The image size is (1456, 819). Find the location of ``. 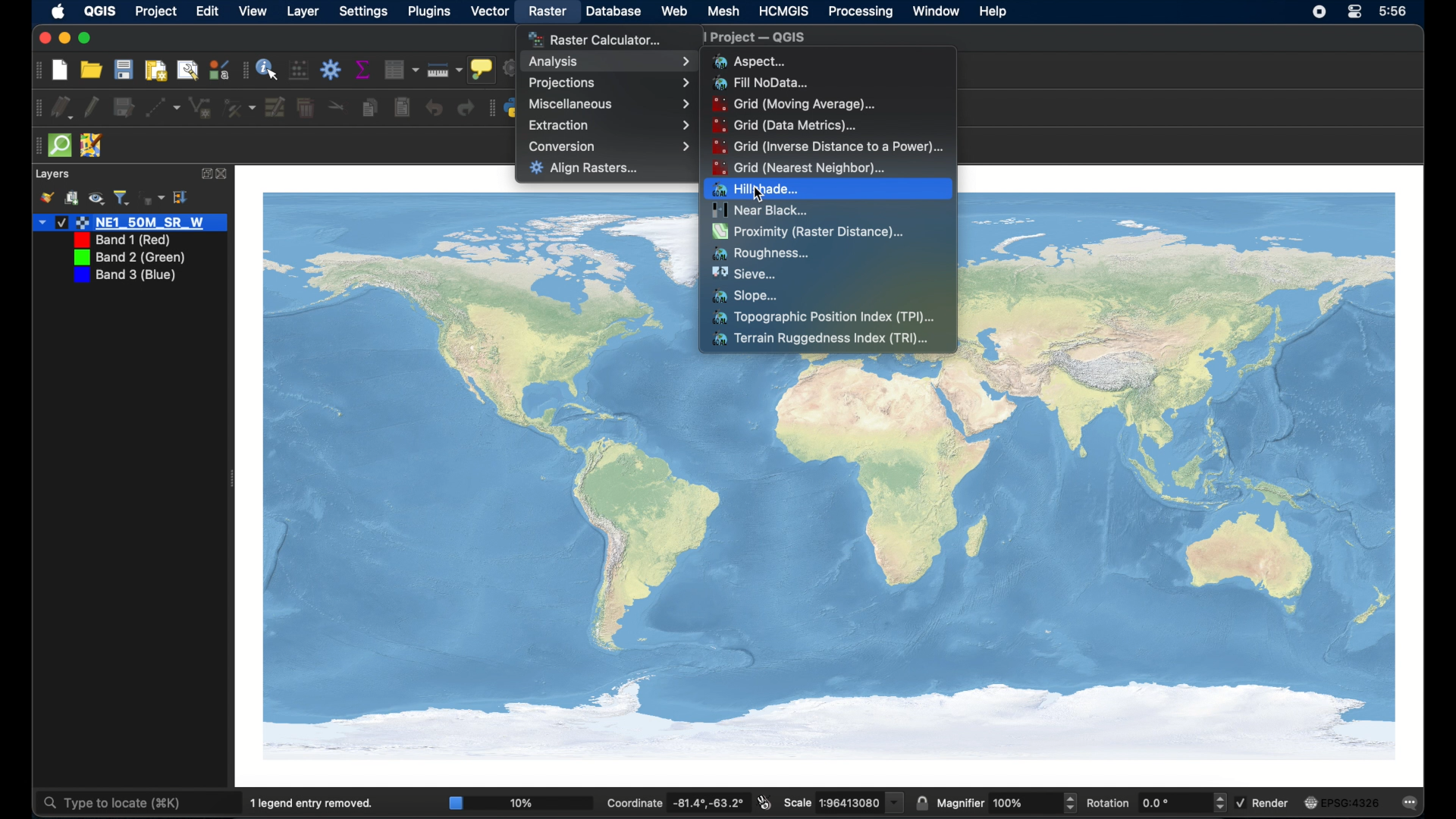

 is located at coordinates (402, 69).